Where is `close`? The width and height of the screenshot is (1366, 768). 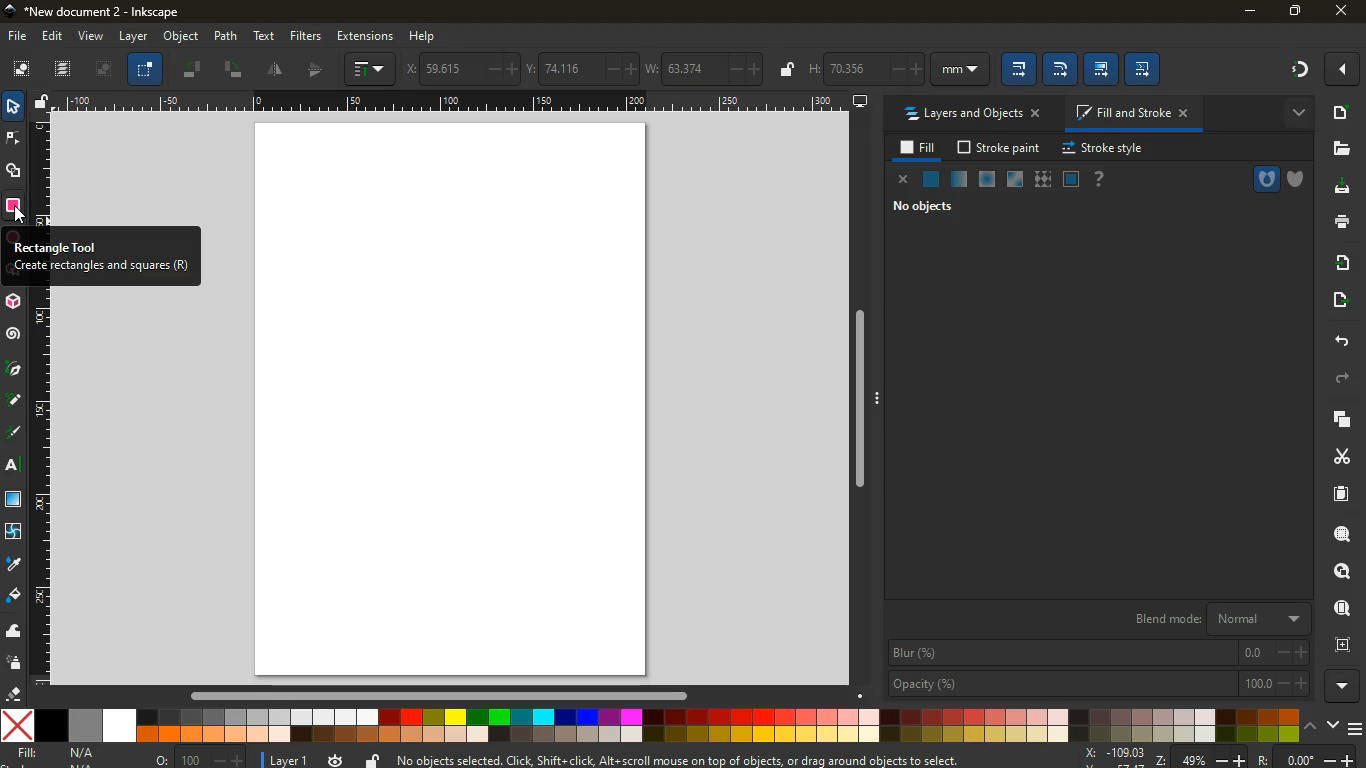 close is located at coordinates (1343, 12).